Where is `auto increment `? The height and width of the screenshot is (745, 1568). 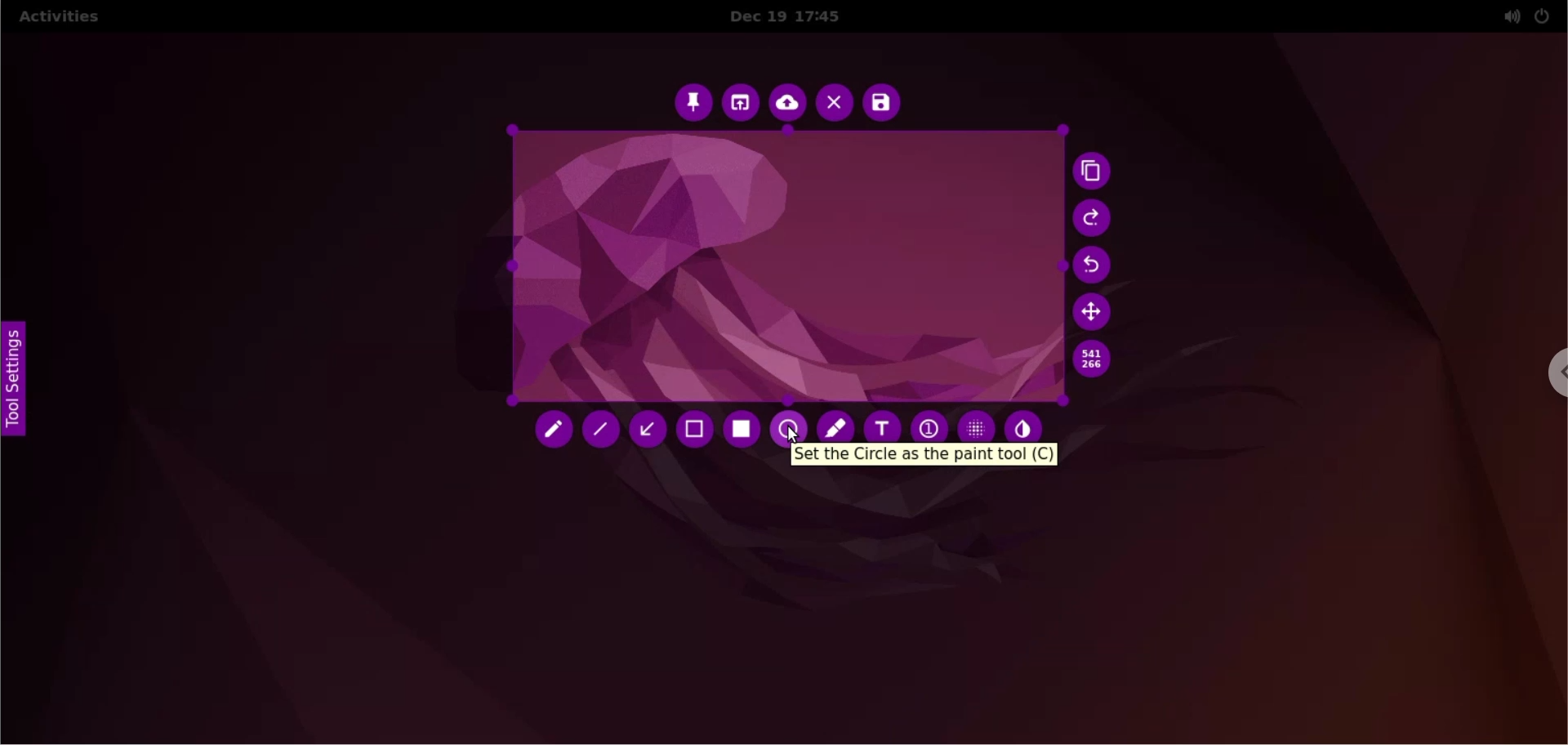
auto increment  is located at coordinates (928, 422).